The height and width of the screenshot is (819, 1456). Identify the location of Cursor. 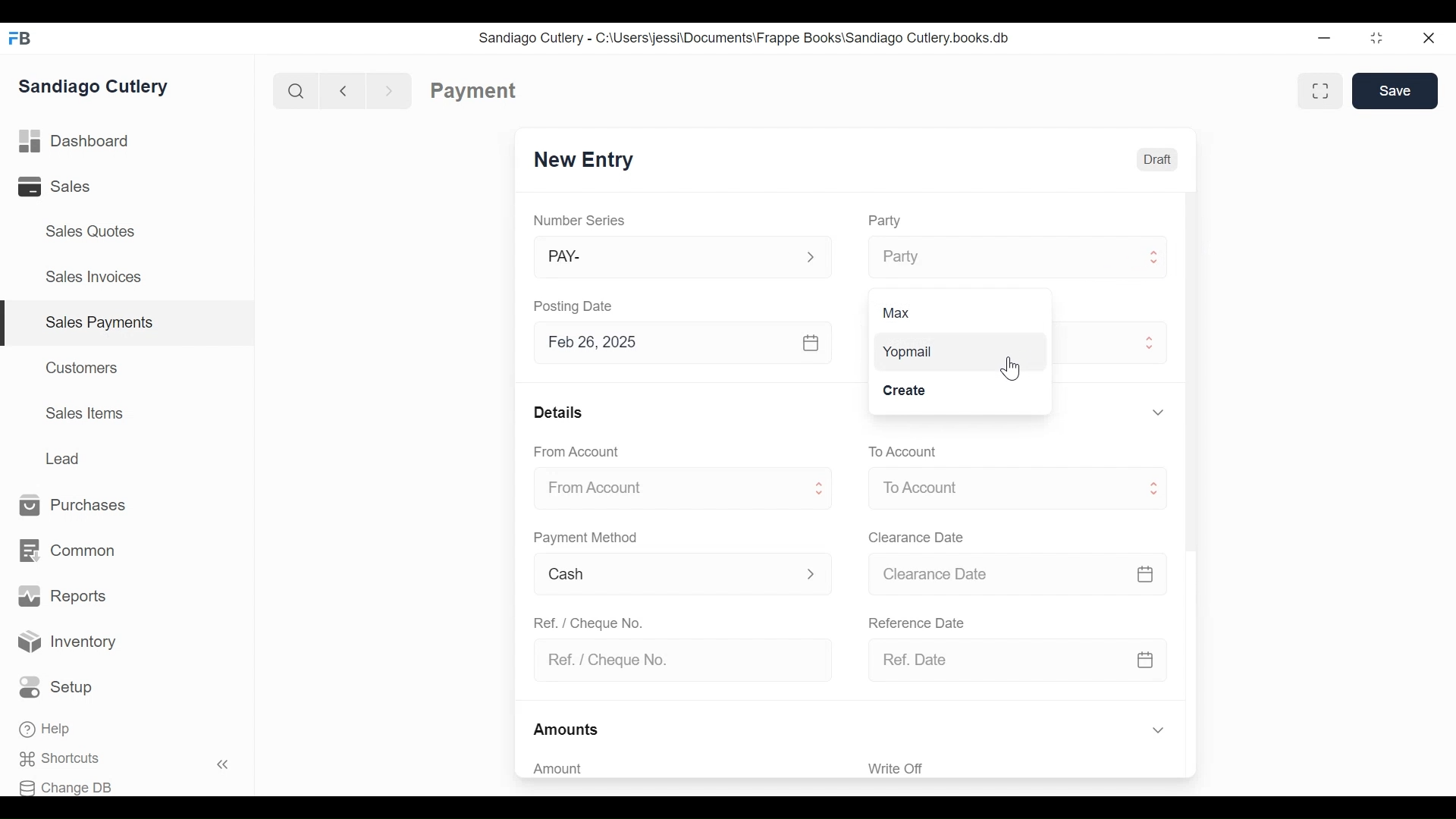
(1015, 371).